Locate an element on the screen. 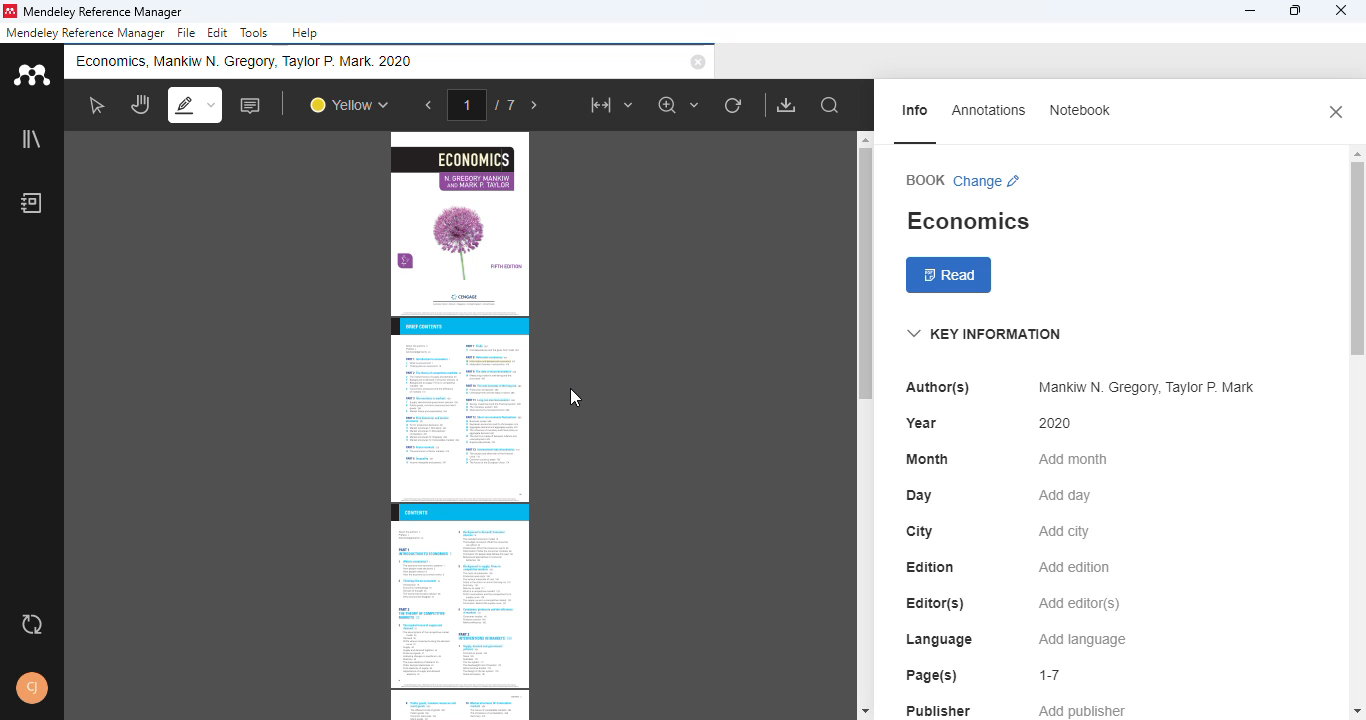 The height and width of the screenshot is (720, 1366). tools is located at coordinates (253, 32).